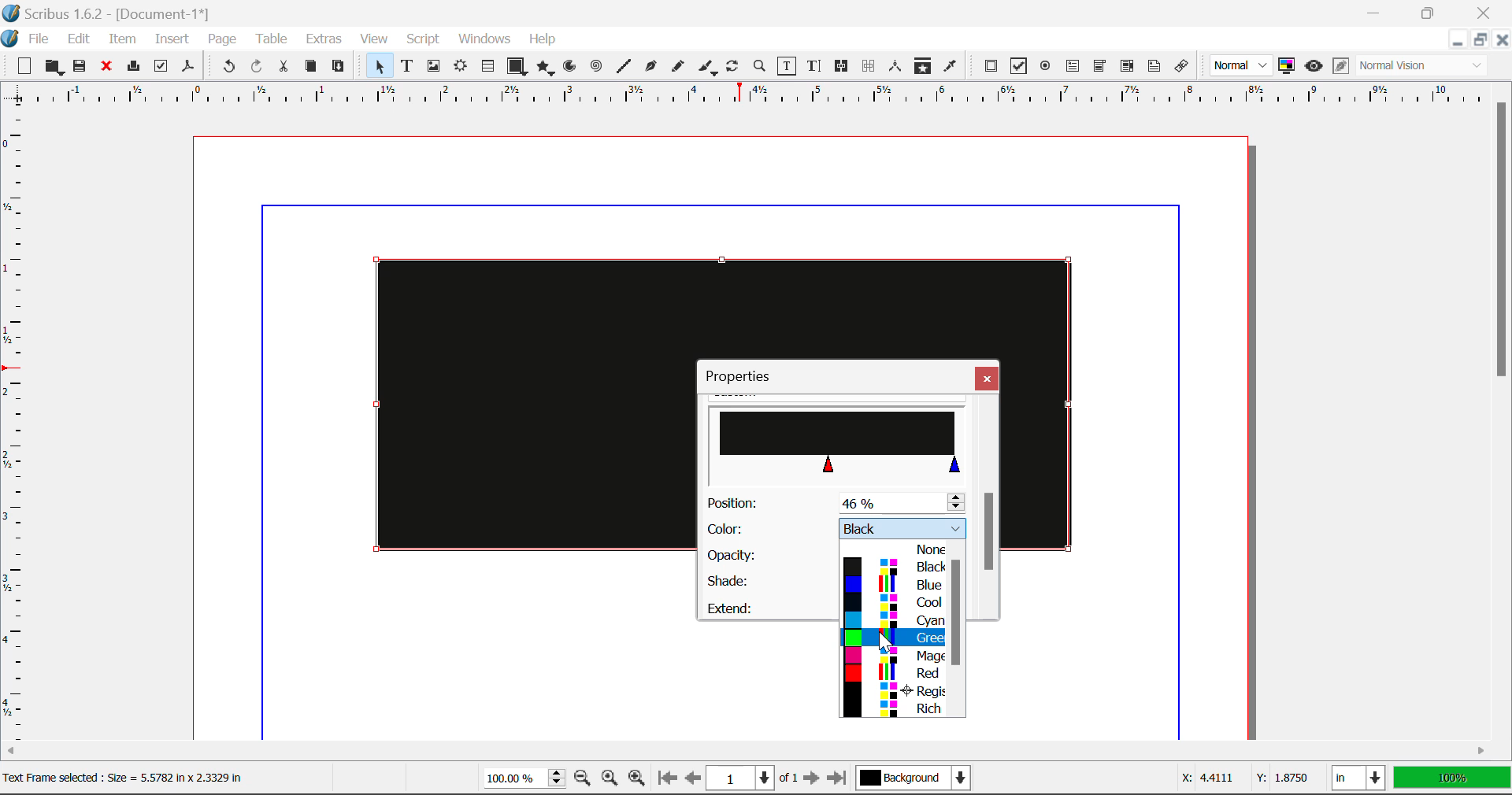 The height and width of the screenshot is (795, 1512). What do you see at coordinates (1429, 11) in the screenshot?
I see `Minimize` at bounding box center [1429, 11].